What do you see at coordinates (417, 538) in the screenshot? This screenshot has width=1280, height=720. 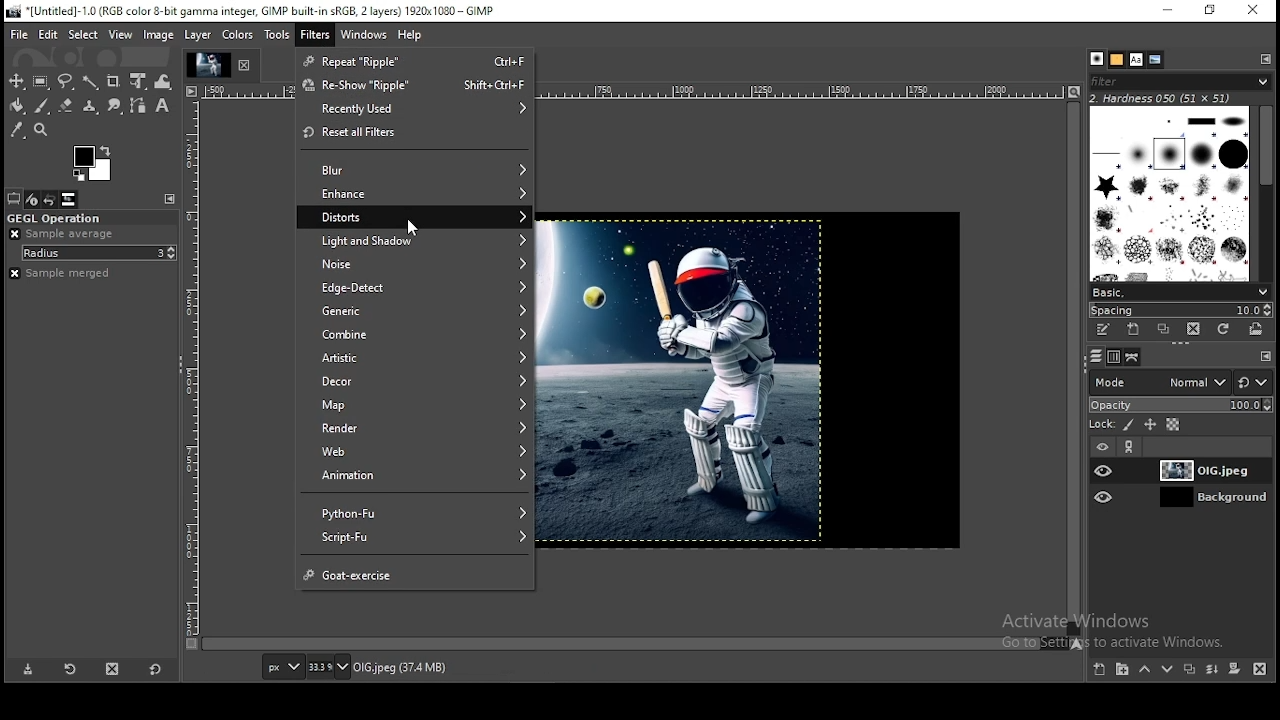 I see `script fu` at bounding box center [417, 538].